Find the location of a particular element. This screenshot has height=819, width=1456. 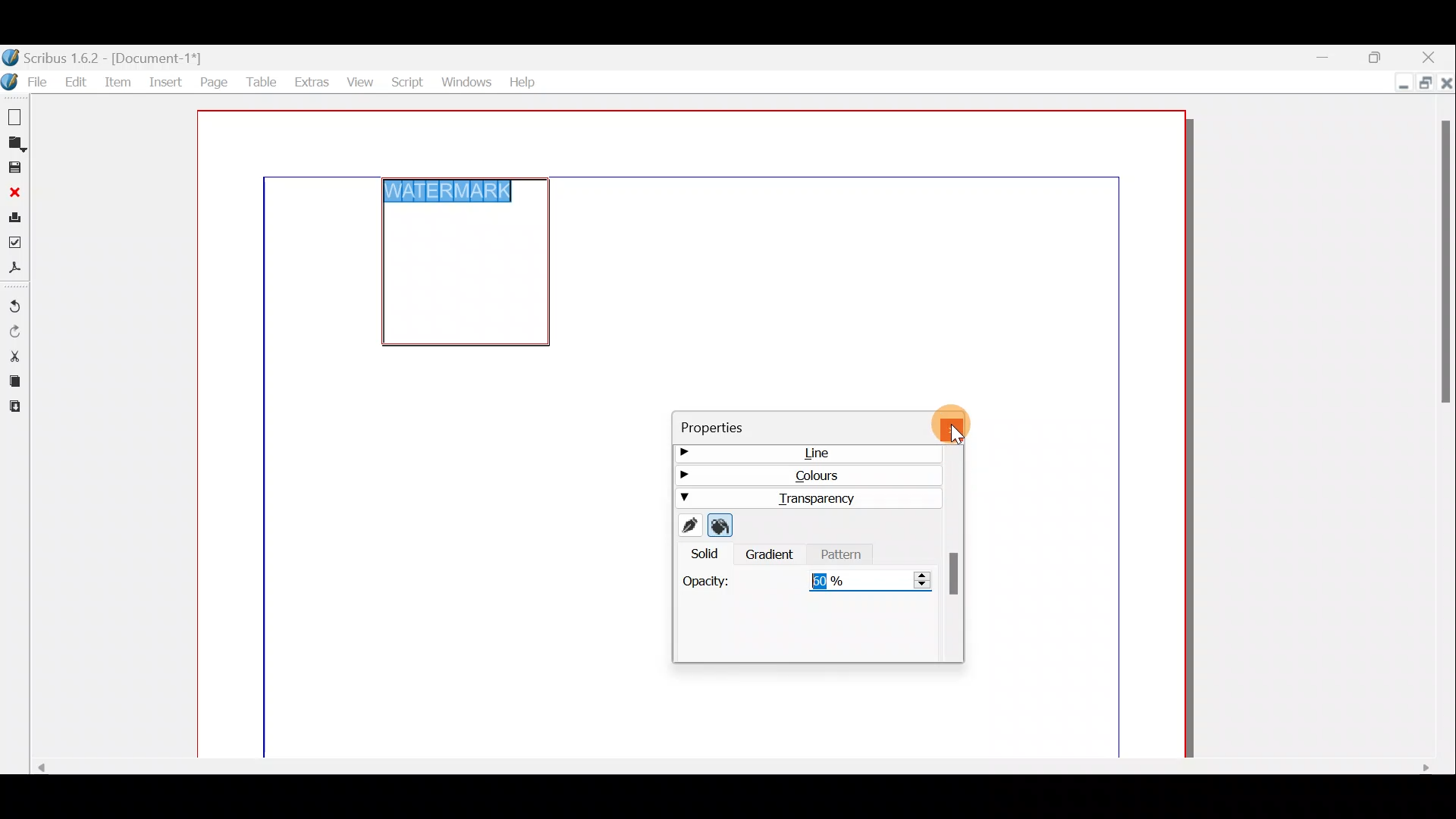

Line is located at coordinates (804, 456).